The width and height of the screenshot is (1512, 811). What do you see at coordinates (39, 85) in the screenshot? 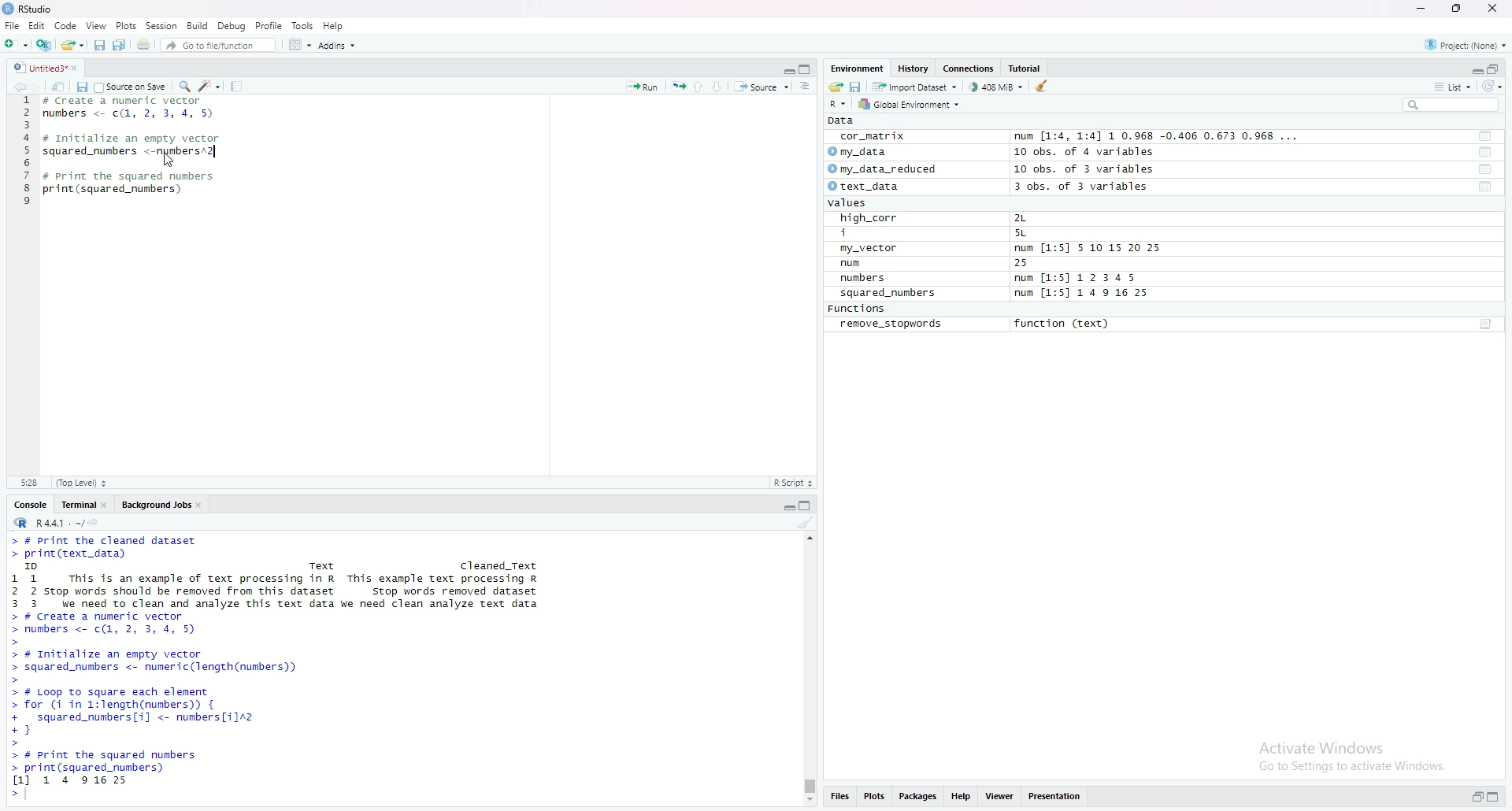
I see `move forward` at bounding box center [39, 85].